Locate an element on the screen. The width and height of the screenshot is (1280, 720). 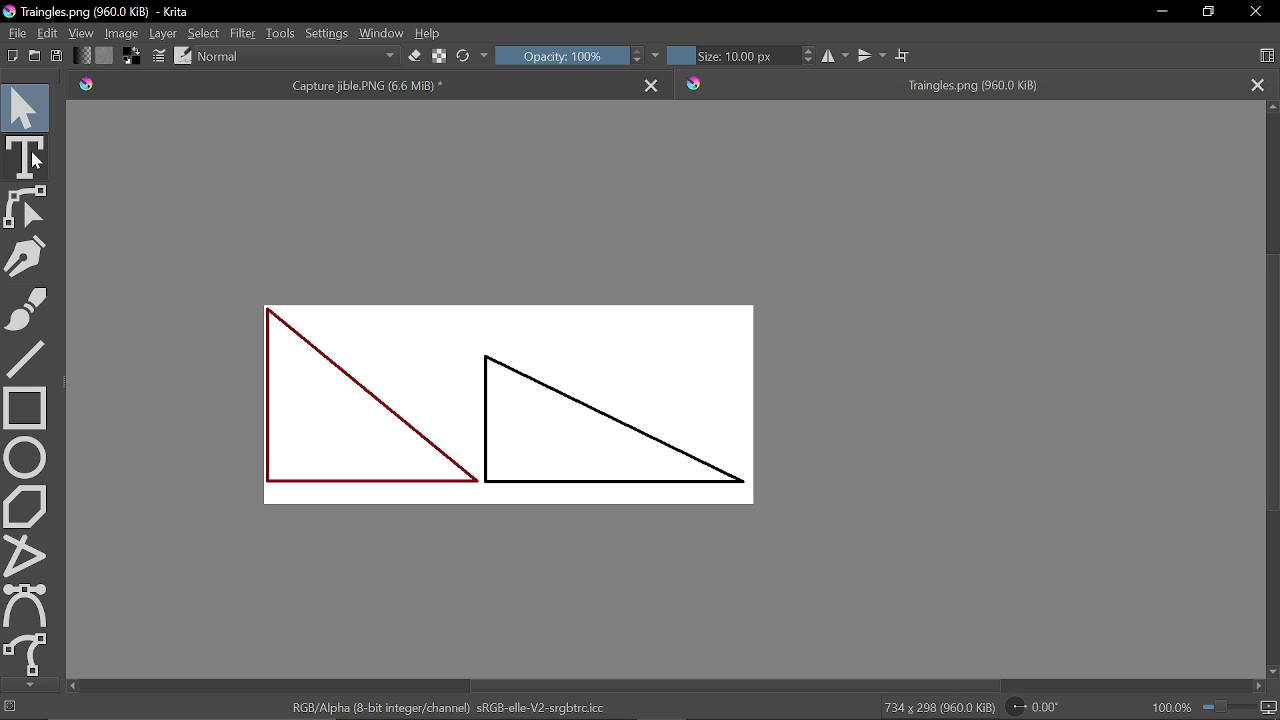
Bezier curve tool is located at coordinates (27, 605).